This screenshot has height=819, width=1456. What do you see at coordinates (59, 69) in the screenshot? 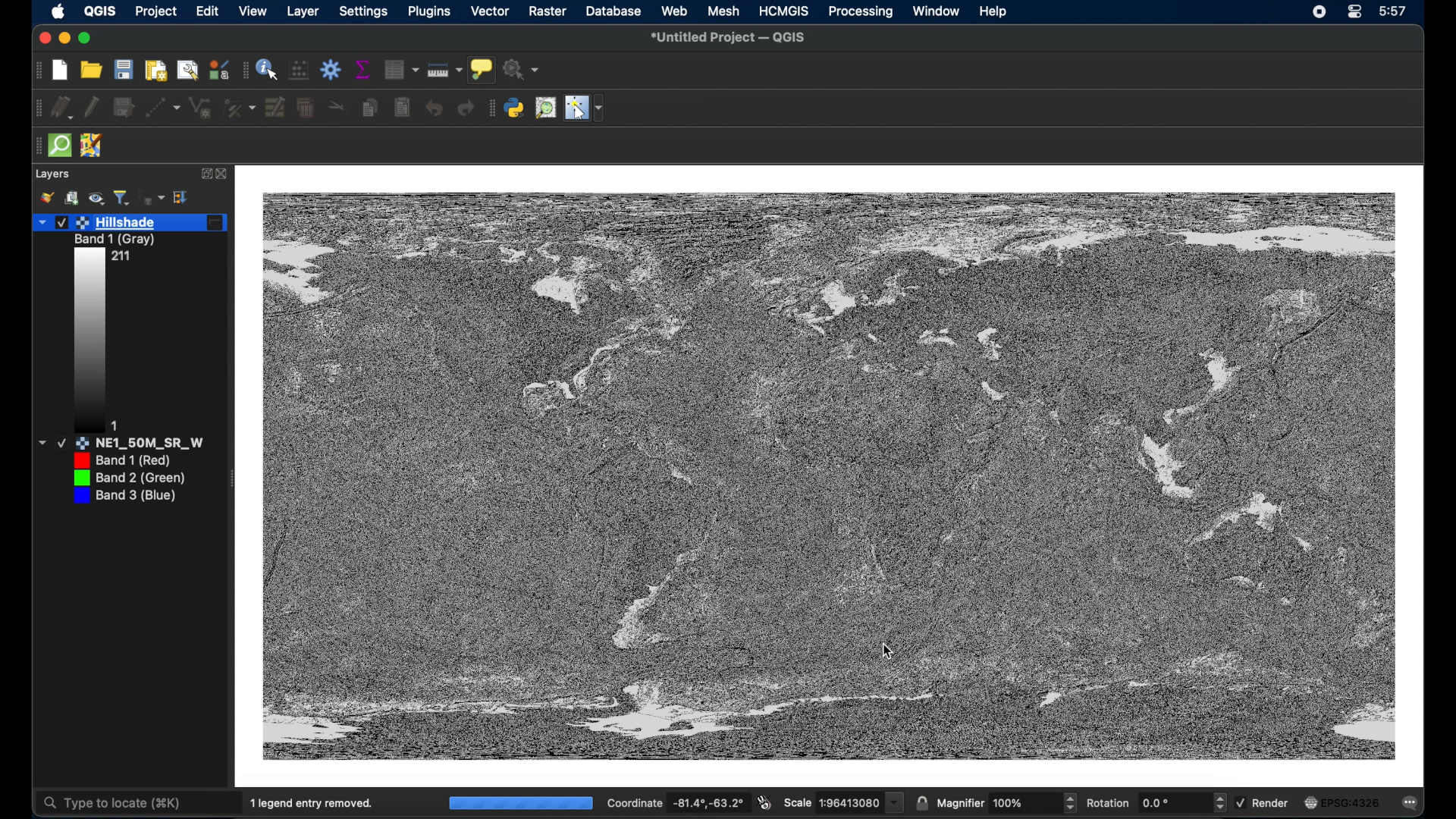
I see `new` at bounding box center [59, 69].